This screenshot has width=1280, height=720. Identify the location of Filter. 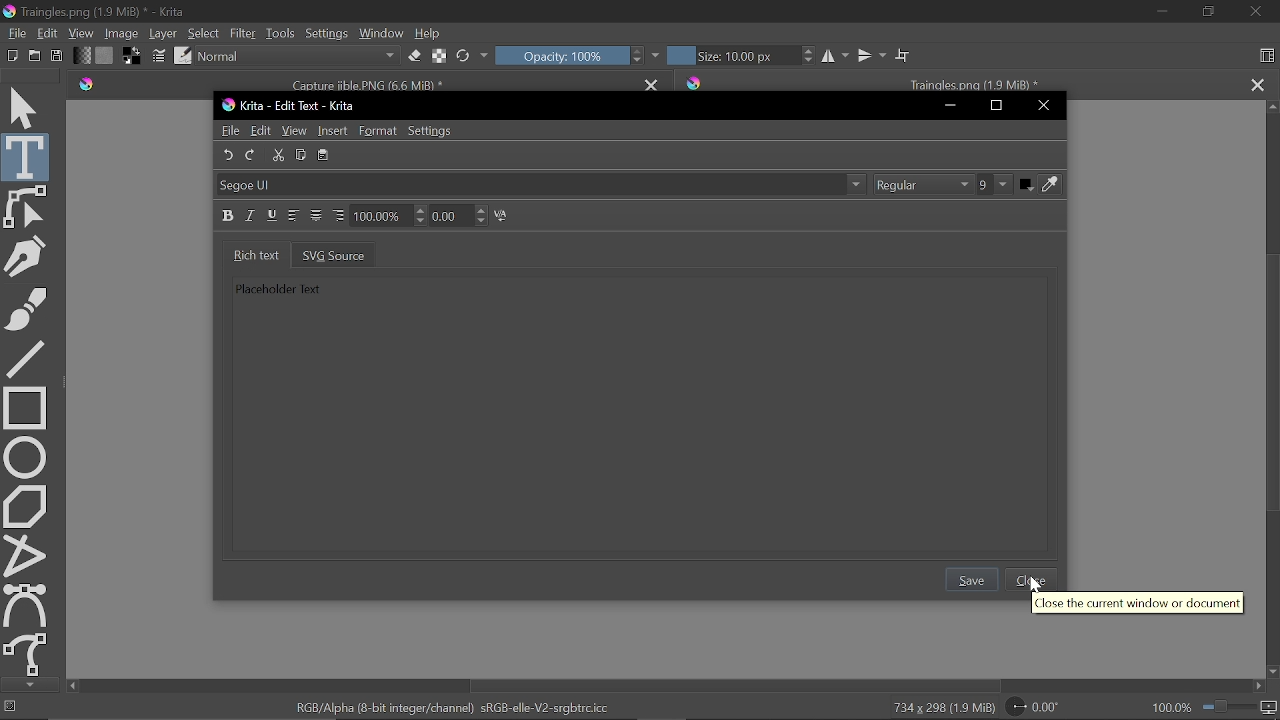
(243, 34).